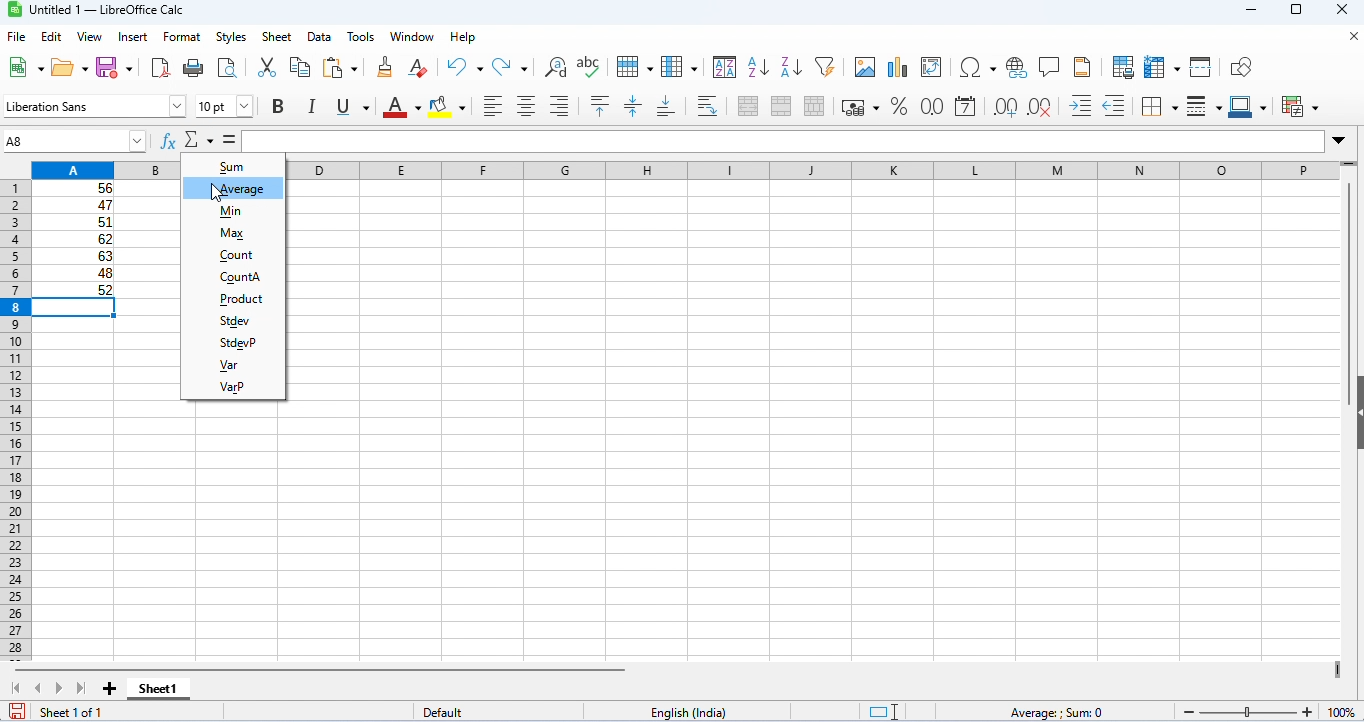  Describe the element at coordinates (1341, 671) in the screenshot. I see `drag to view next columns` at that location.